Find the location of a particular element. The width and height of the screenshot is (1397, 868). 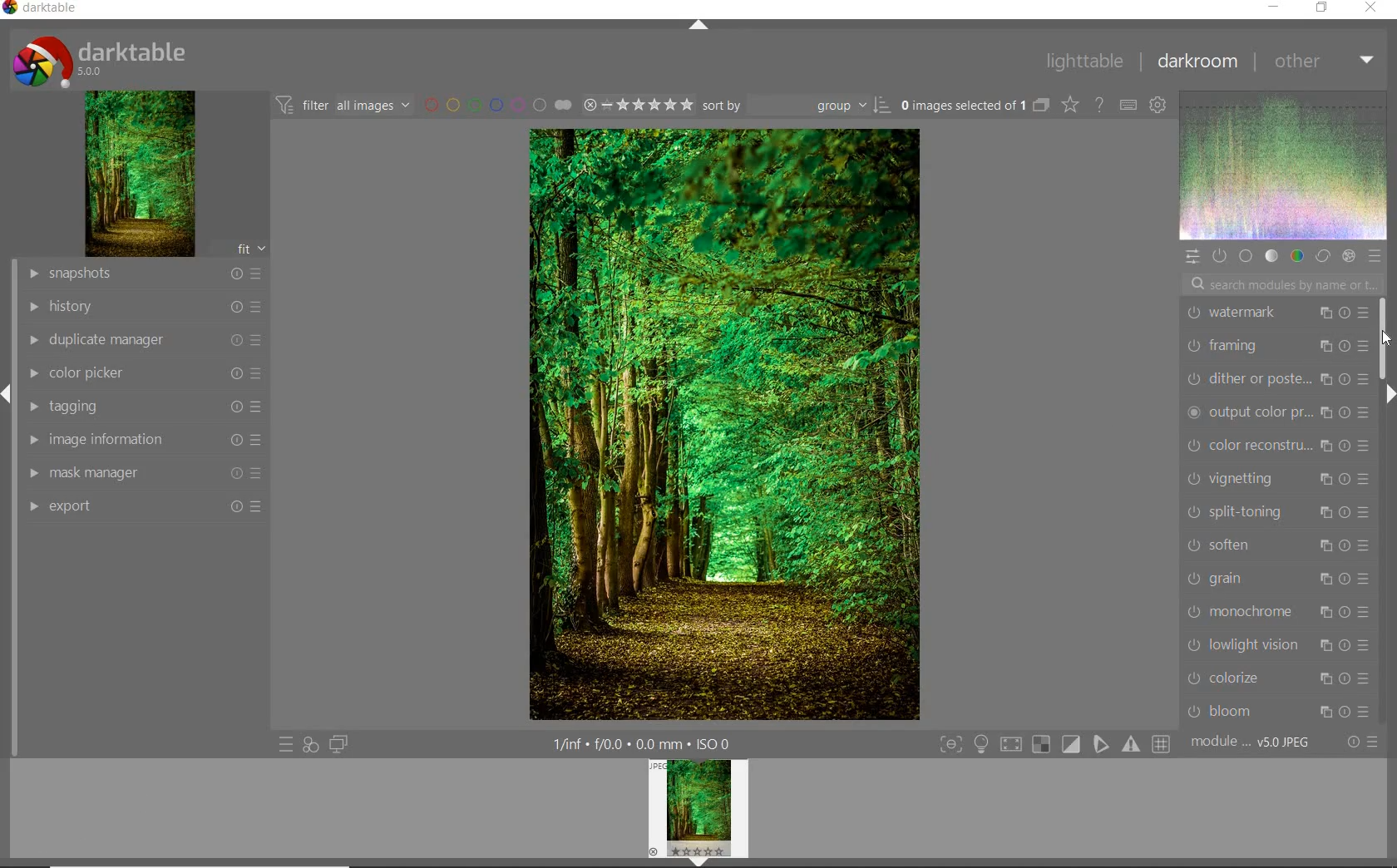

COLOR RECONSTRUCTION is located at coordinates (1278, 446).